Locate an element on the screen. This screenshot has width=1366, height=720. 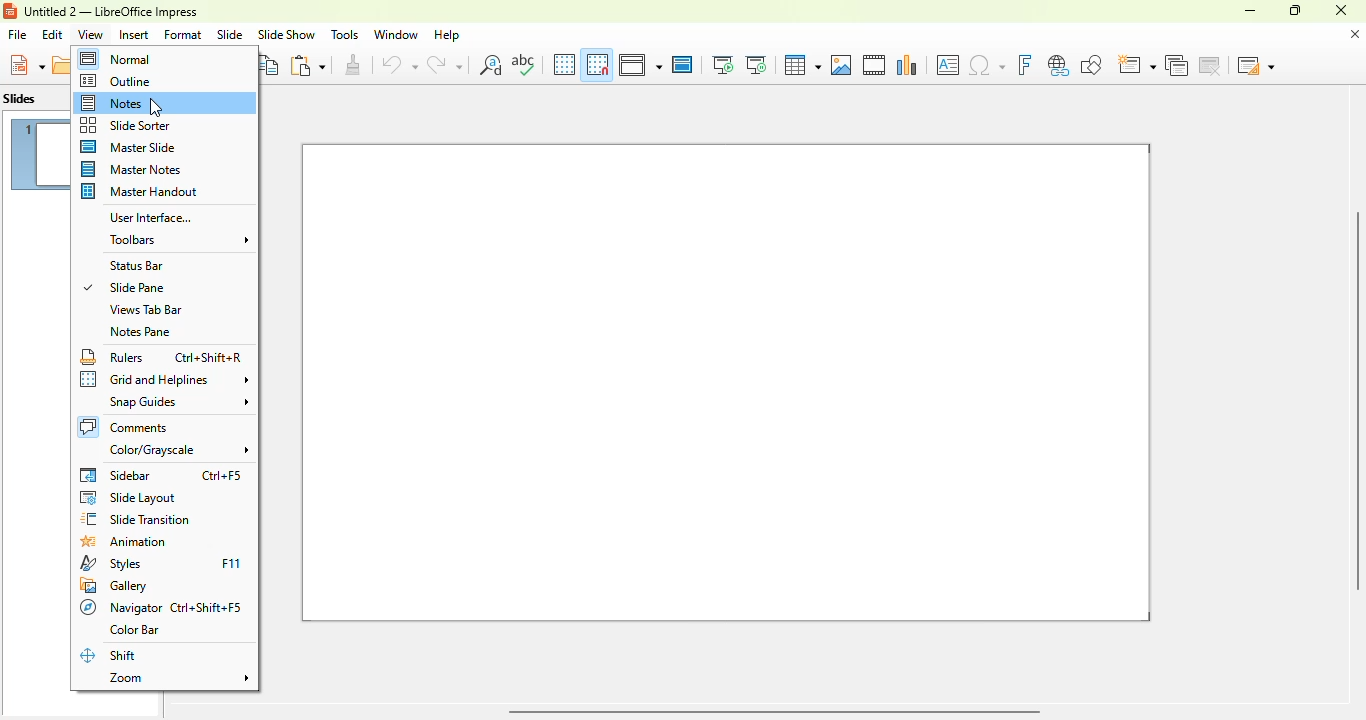
cursor is located at coordinates (156, 107).